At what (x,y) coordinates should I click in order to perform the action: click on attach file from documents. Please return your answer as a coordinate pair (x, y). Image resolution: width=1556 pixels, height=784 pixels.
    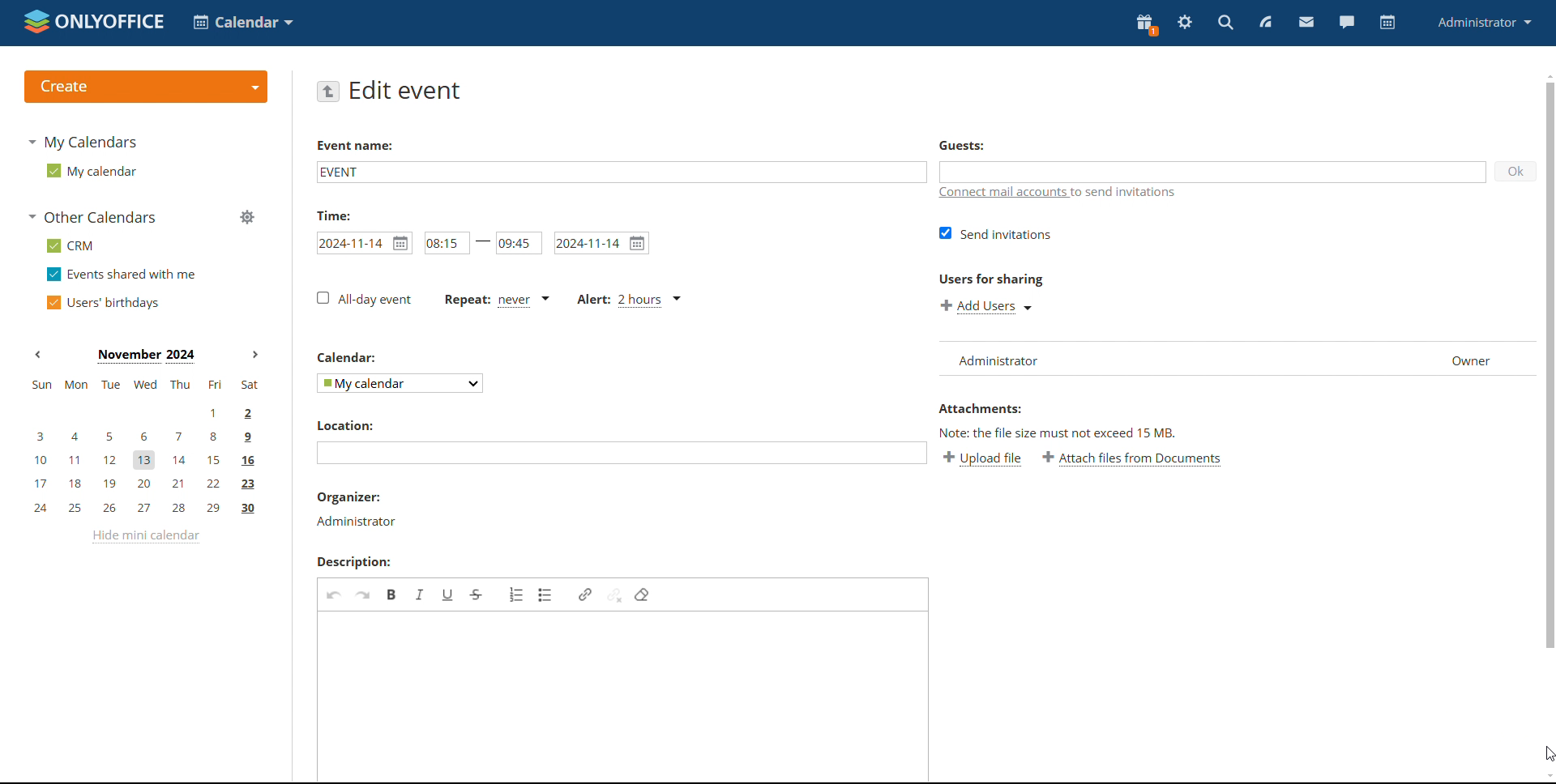
    Looking at the image, I should click on (1131, 460).